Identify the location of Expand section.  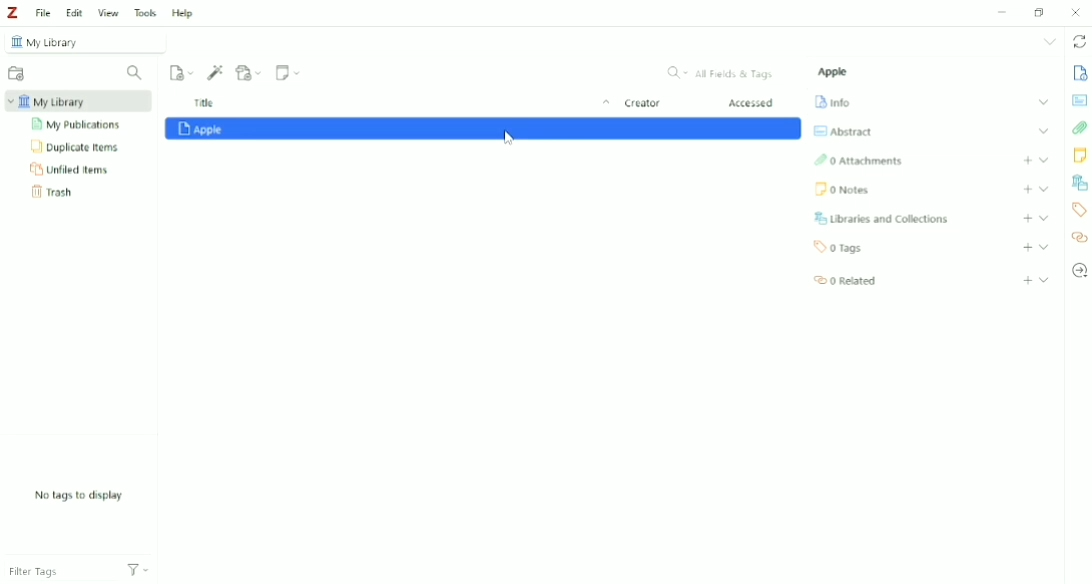
(1044, 279).